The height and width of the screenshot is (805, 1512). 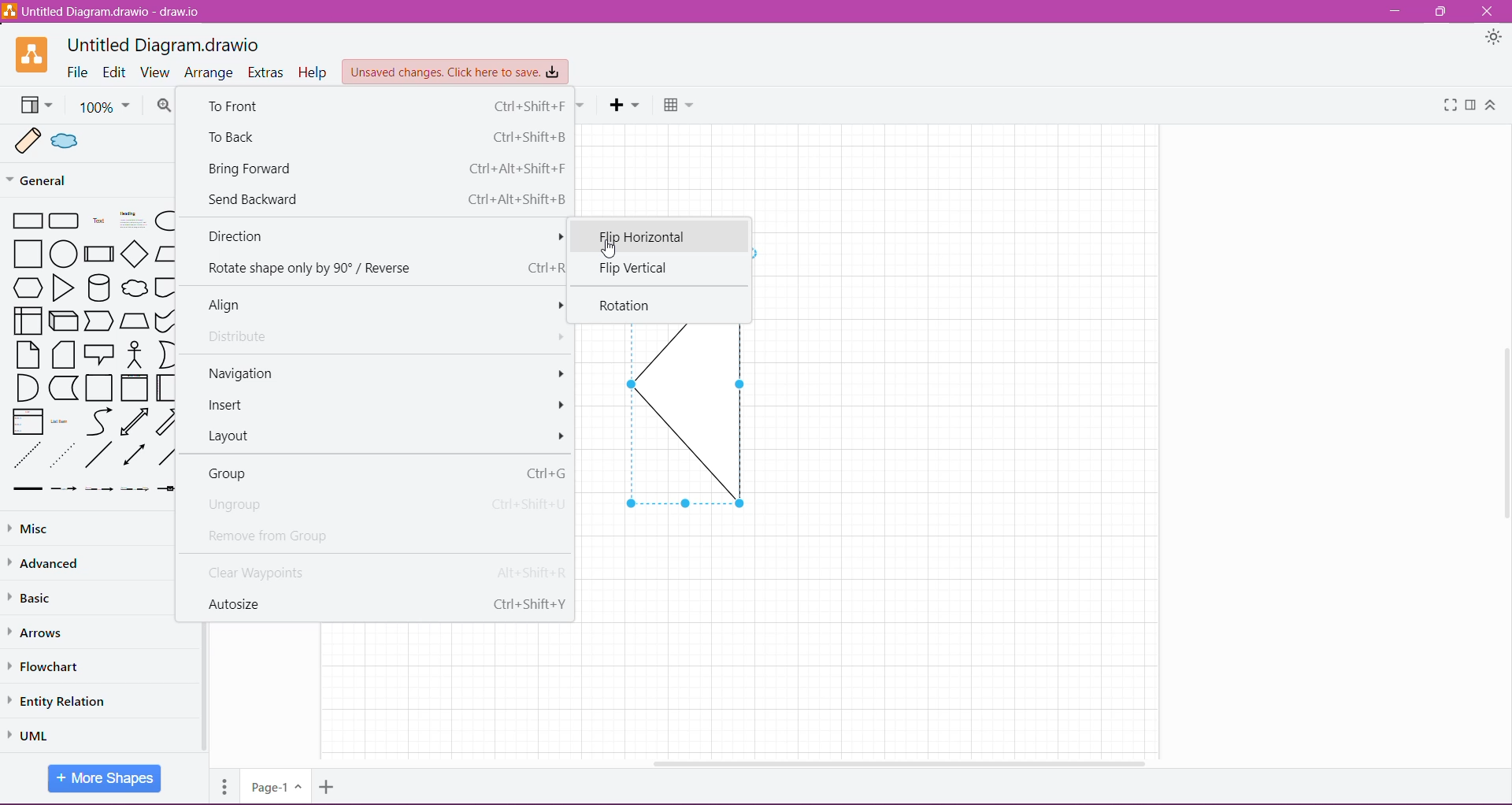 I want to click on More Shapes, so click(x=106, y=778).